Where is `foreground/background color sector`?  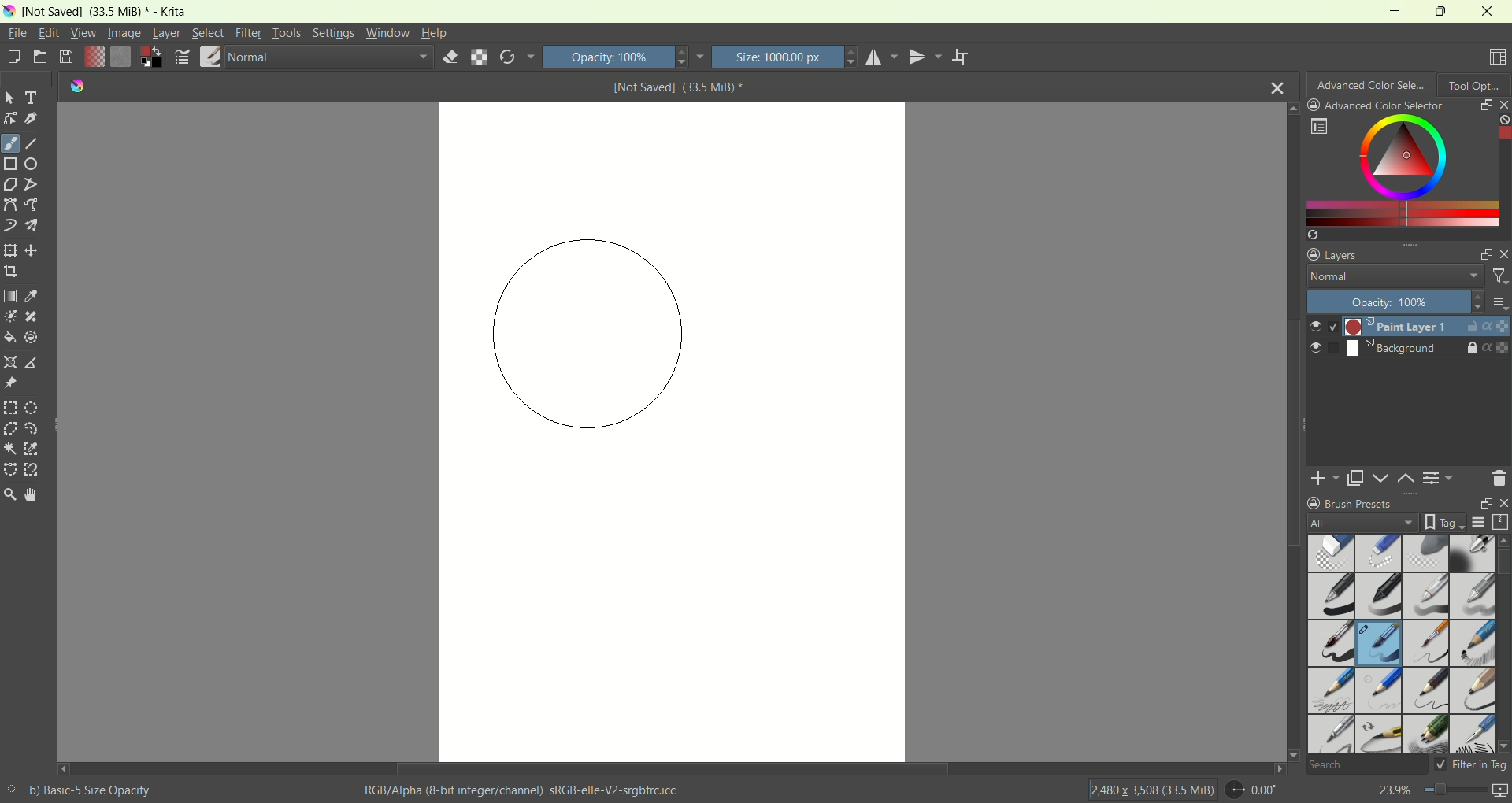
foreground/background color sector is located at coordinates (152, 58).